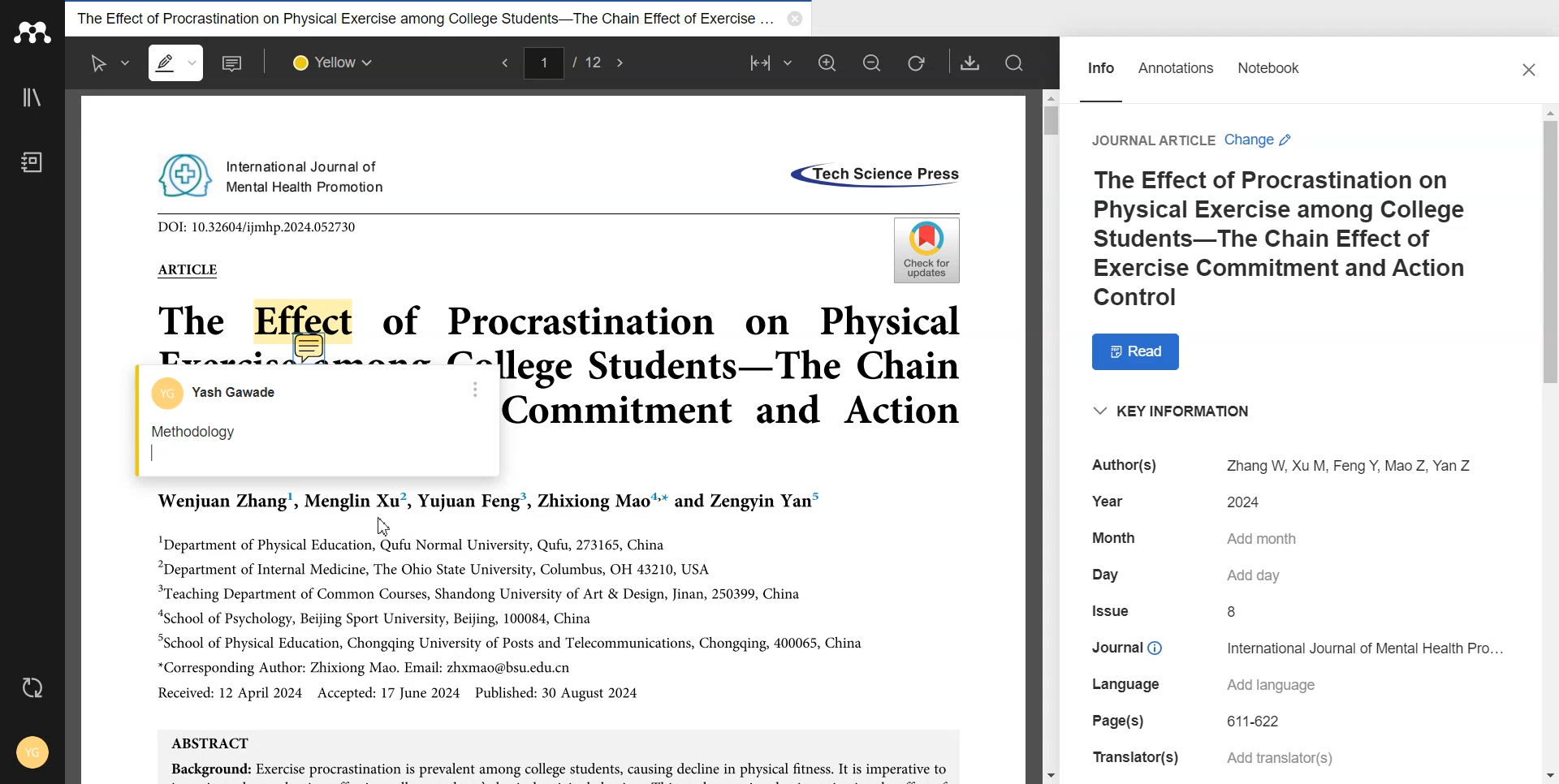  I want to click on Vertical scroll bar, so click(1549, 442).